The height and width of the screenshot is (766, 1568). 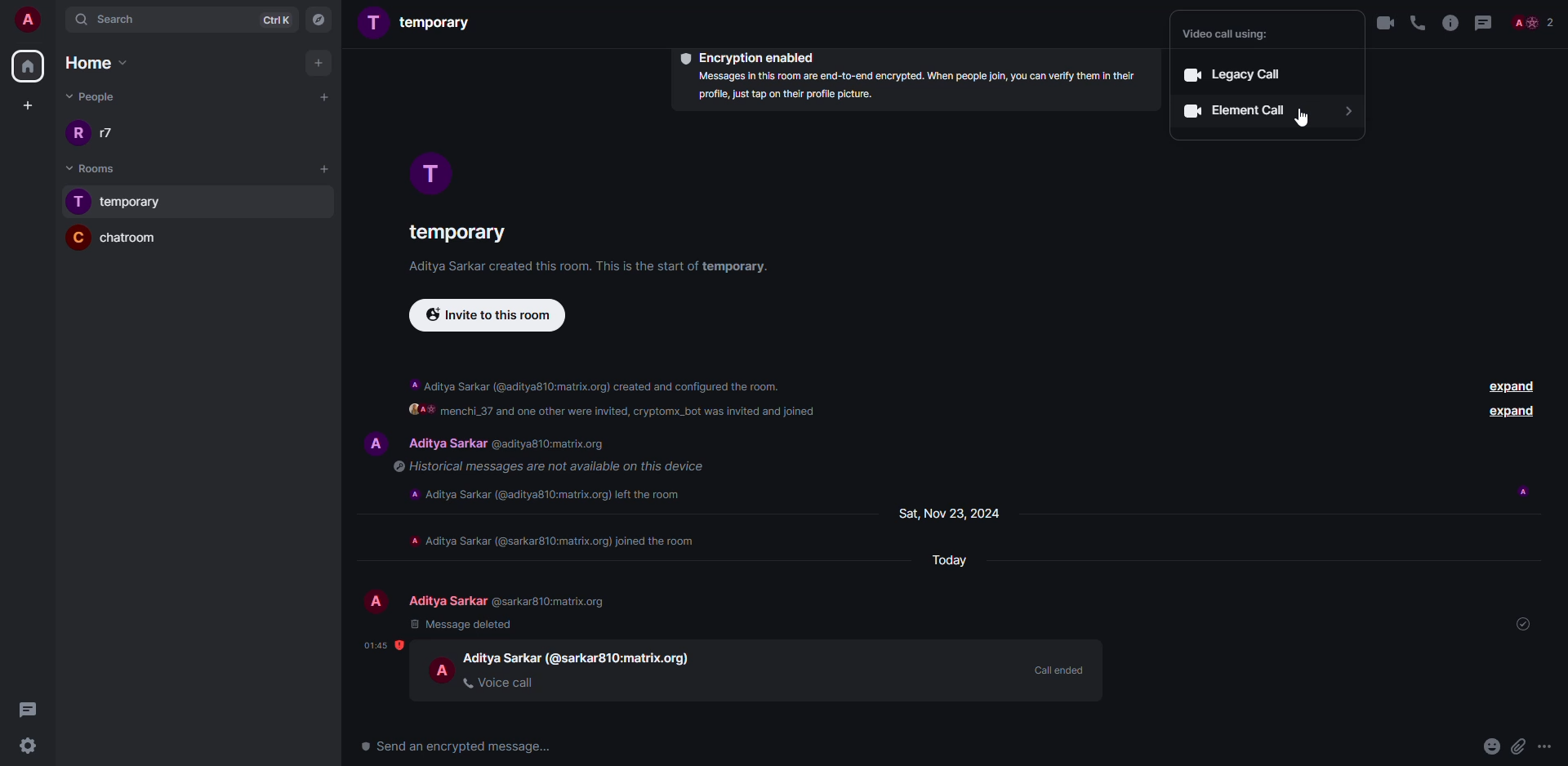 I want to click on element call, so click(x=1267, y=111).